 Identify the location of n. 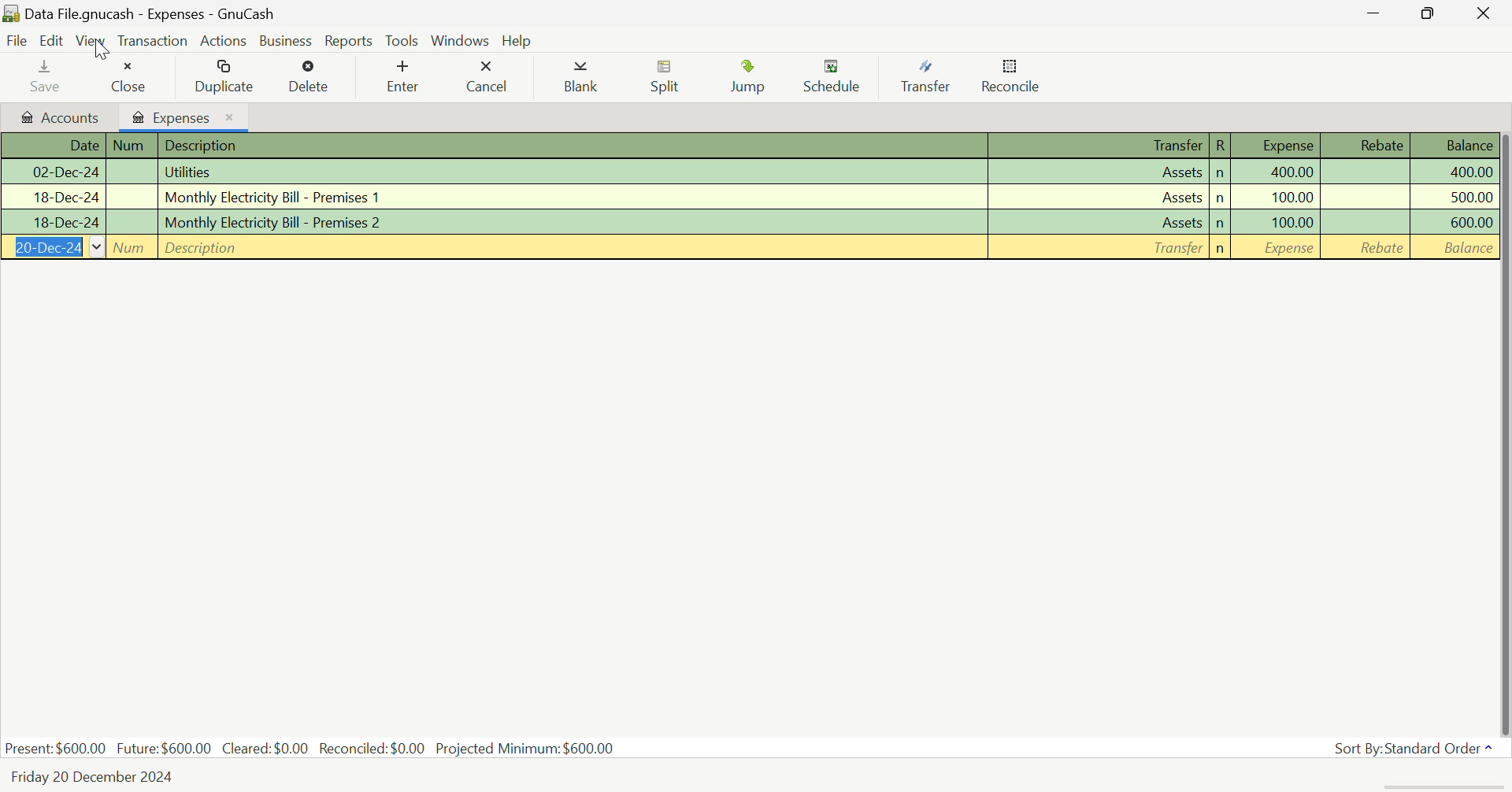
(1221, 250).